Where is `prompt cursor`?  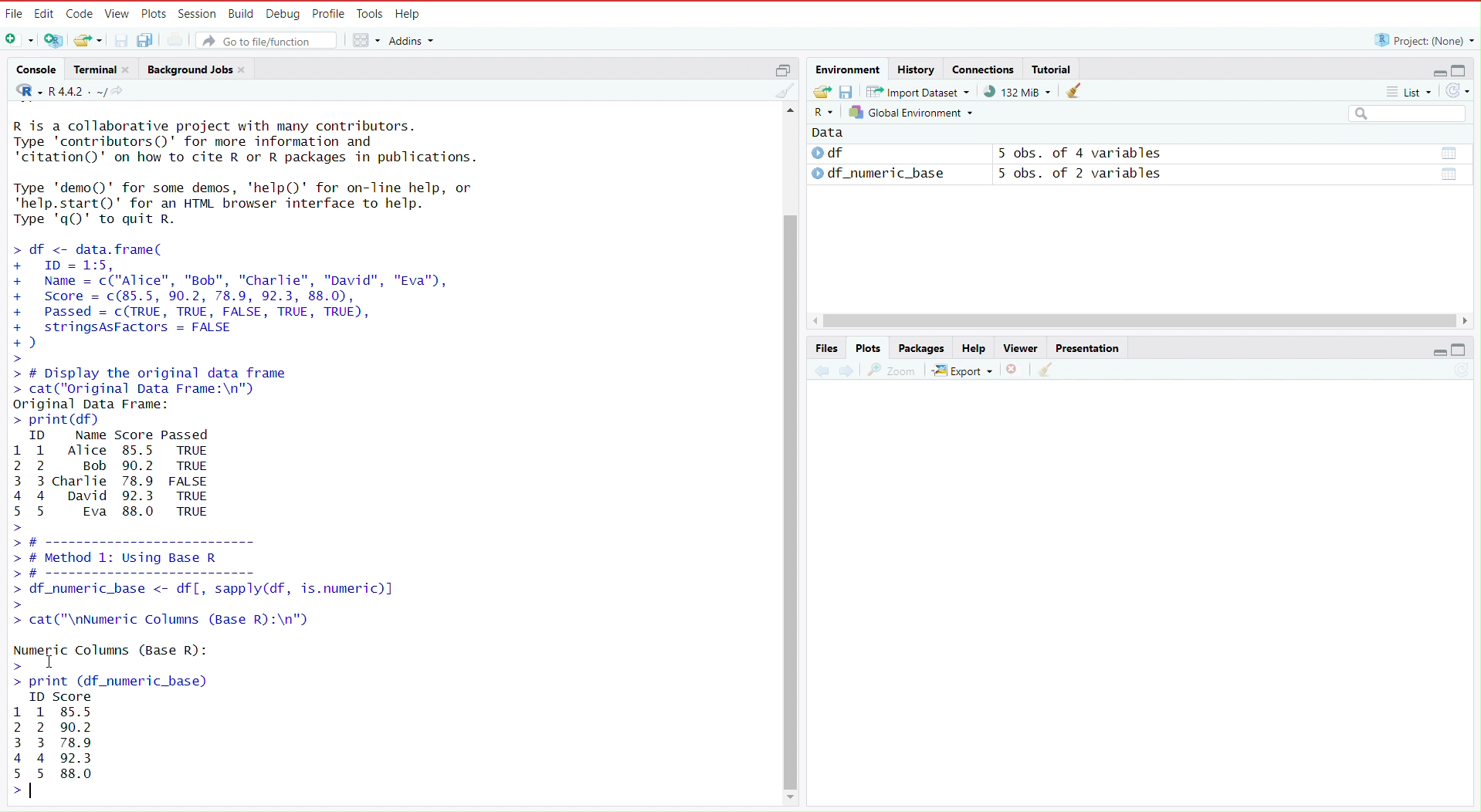
prompt cursor is located at coordinates (15, 668).